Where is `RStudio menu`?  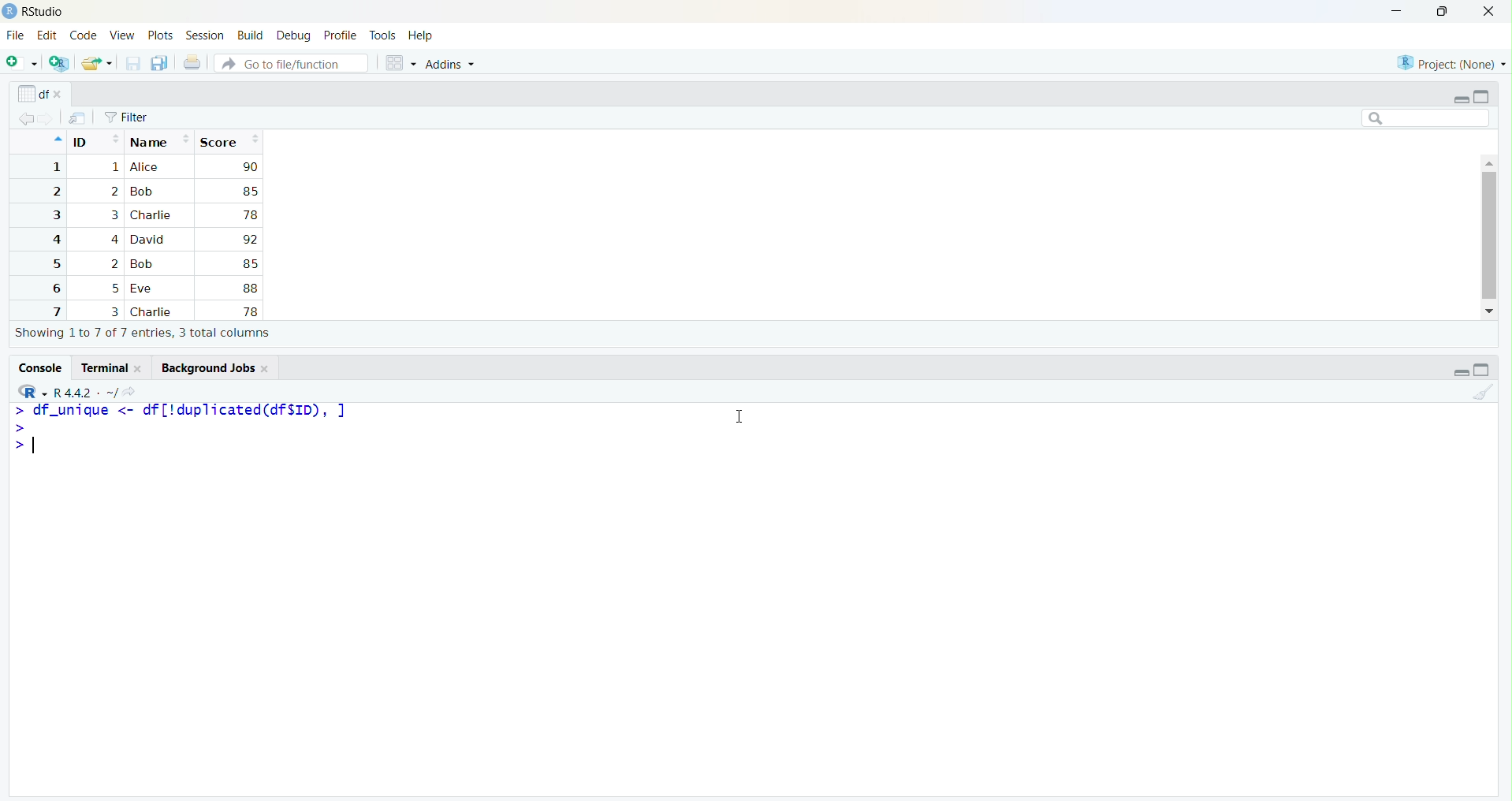
RStudio menu is located at coordinates (32, 392).